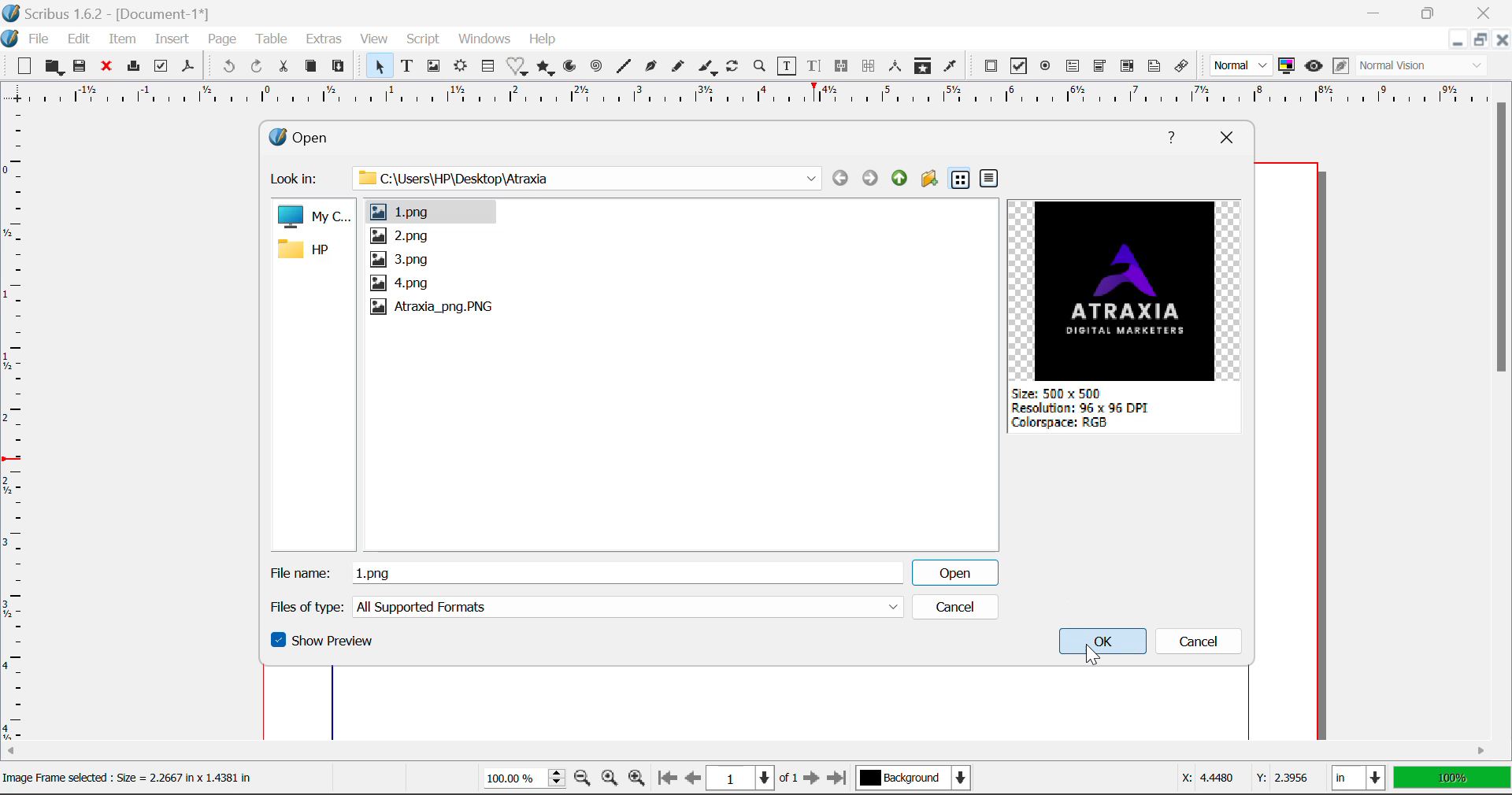 This screenshot has width=1512, height=795. What do you see at coordinates (625, 67) in the screenshot?
I see `Line` at bounding box center [625, 67].